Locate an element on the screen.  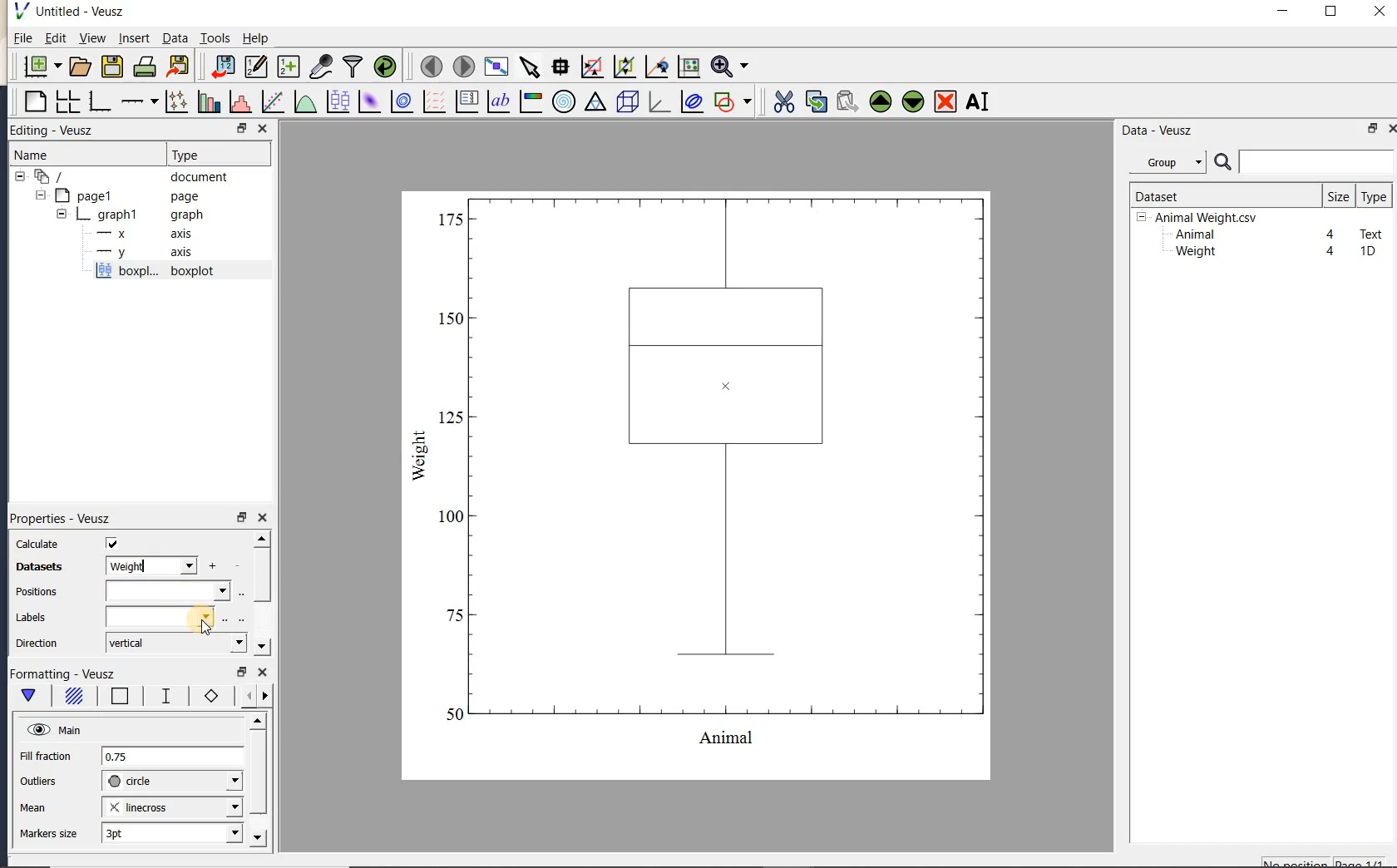
box fill is located at coordinates (72, 697).